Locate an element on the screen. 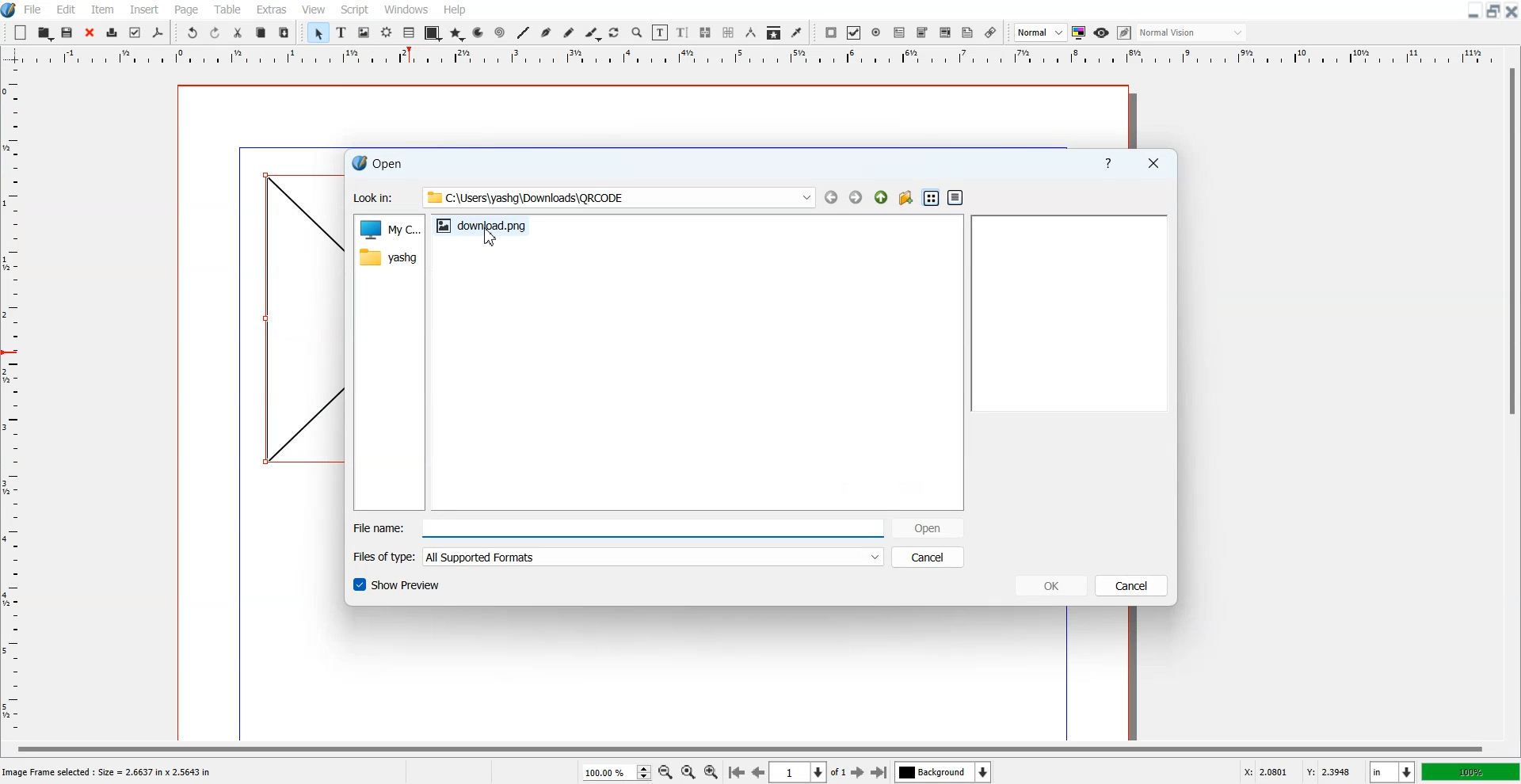  File of type is located at coordinates (617, 557).